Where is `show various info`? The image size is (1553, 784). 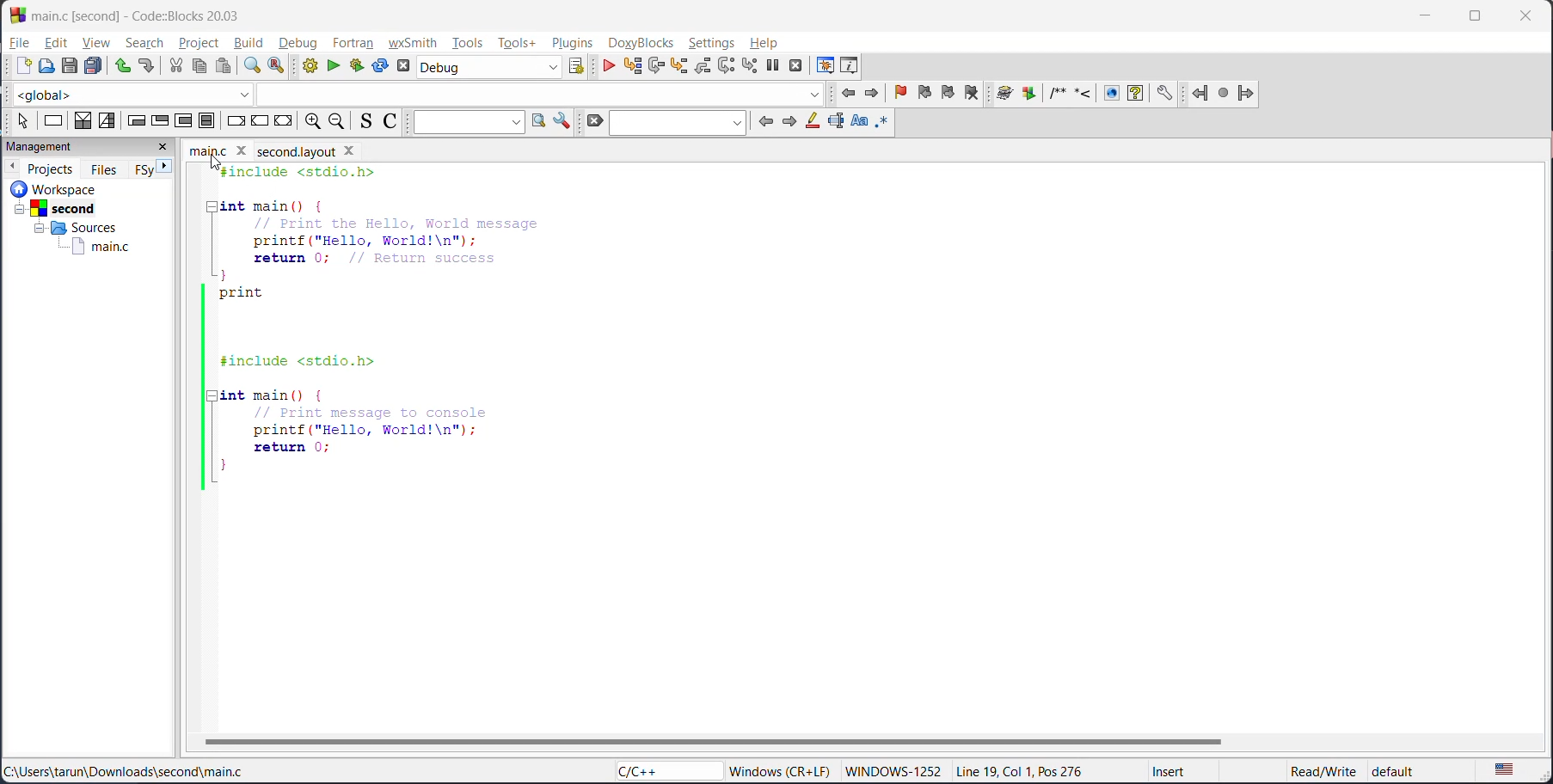
show various info is located at coordinates (850, 64).